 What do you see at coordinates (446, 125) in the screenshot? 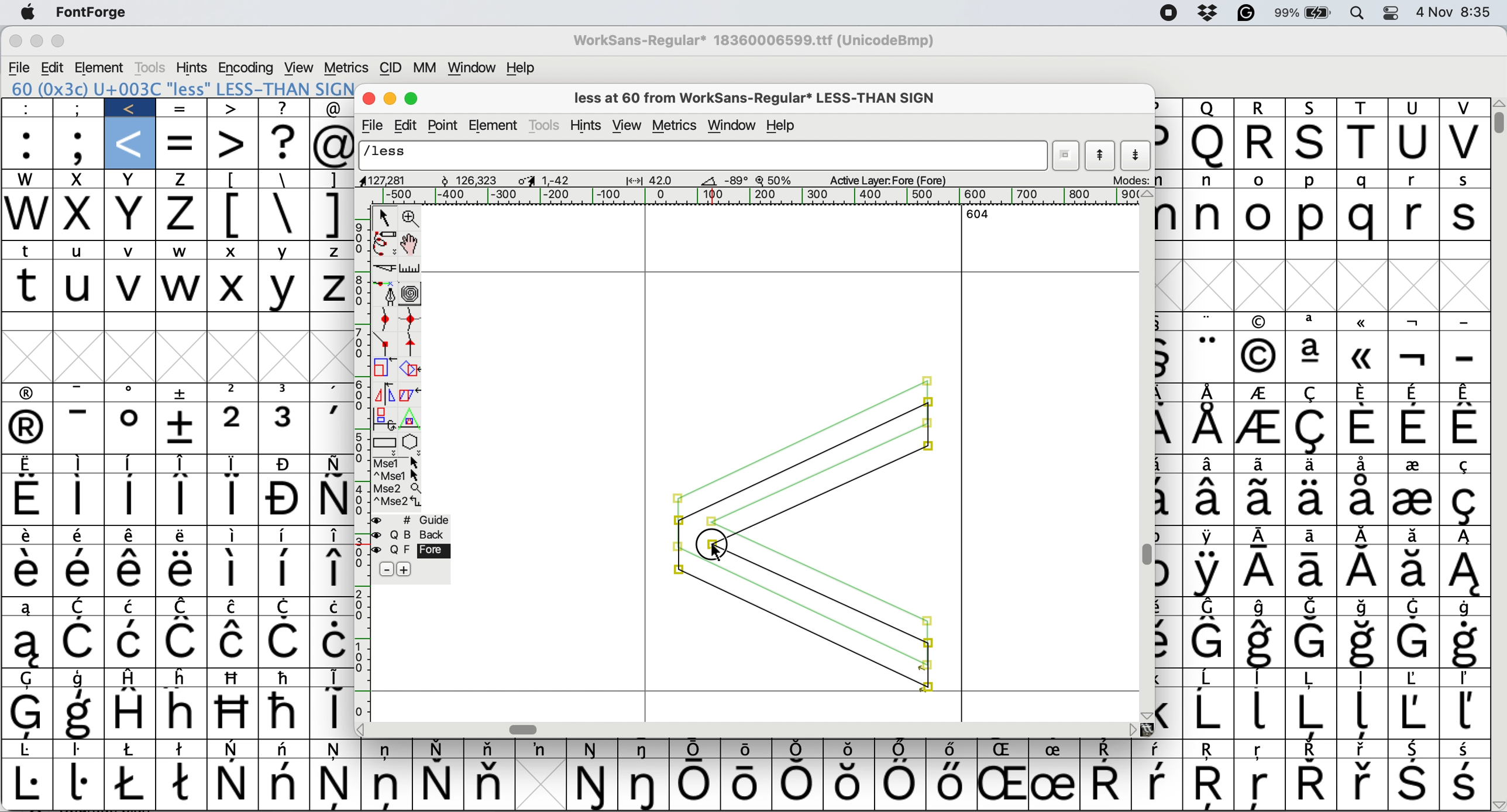
I see `point` at bounding box center [446, 125].